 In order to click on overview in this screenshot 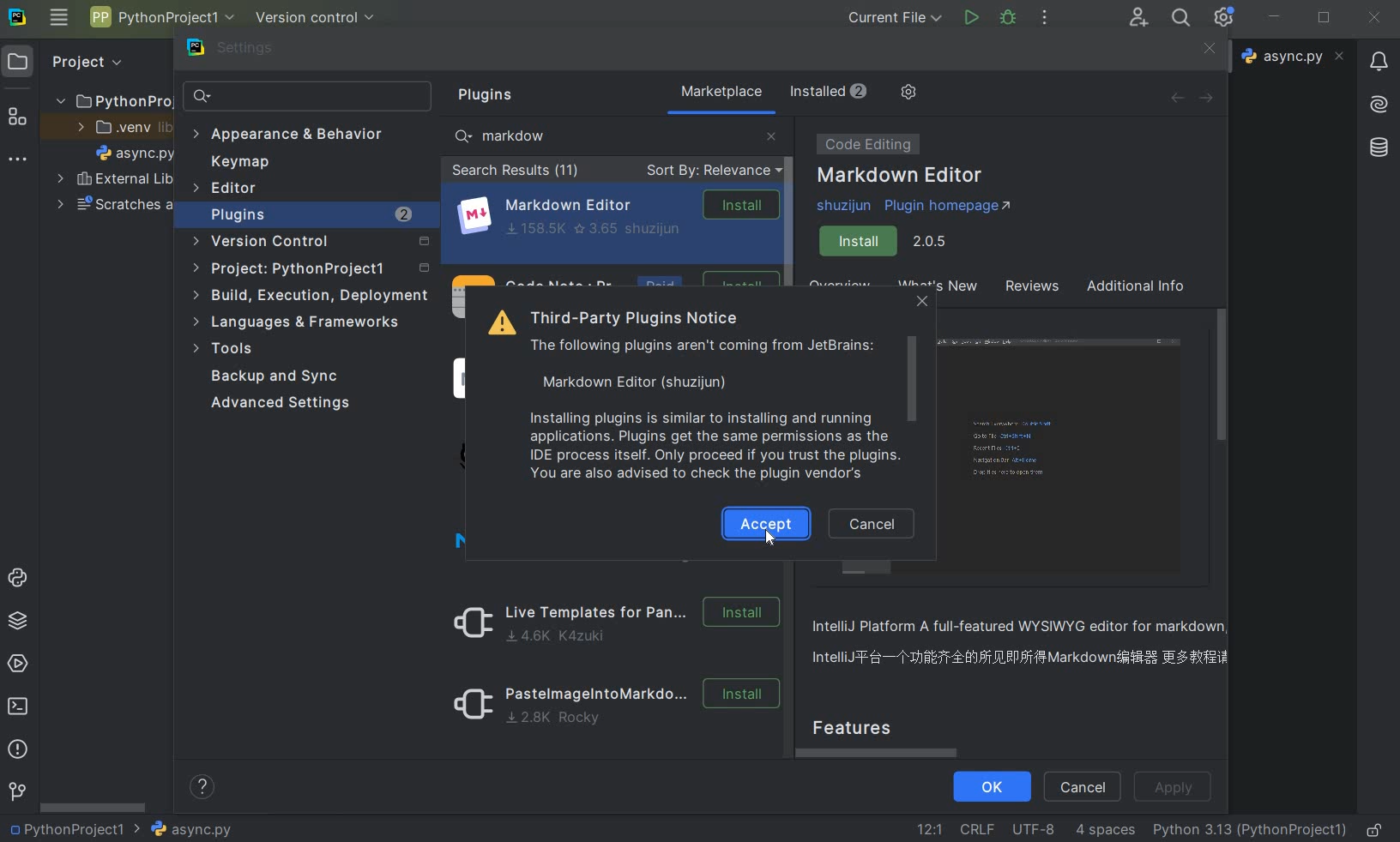, I will do `click(1026, 645)`.